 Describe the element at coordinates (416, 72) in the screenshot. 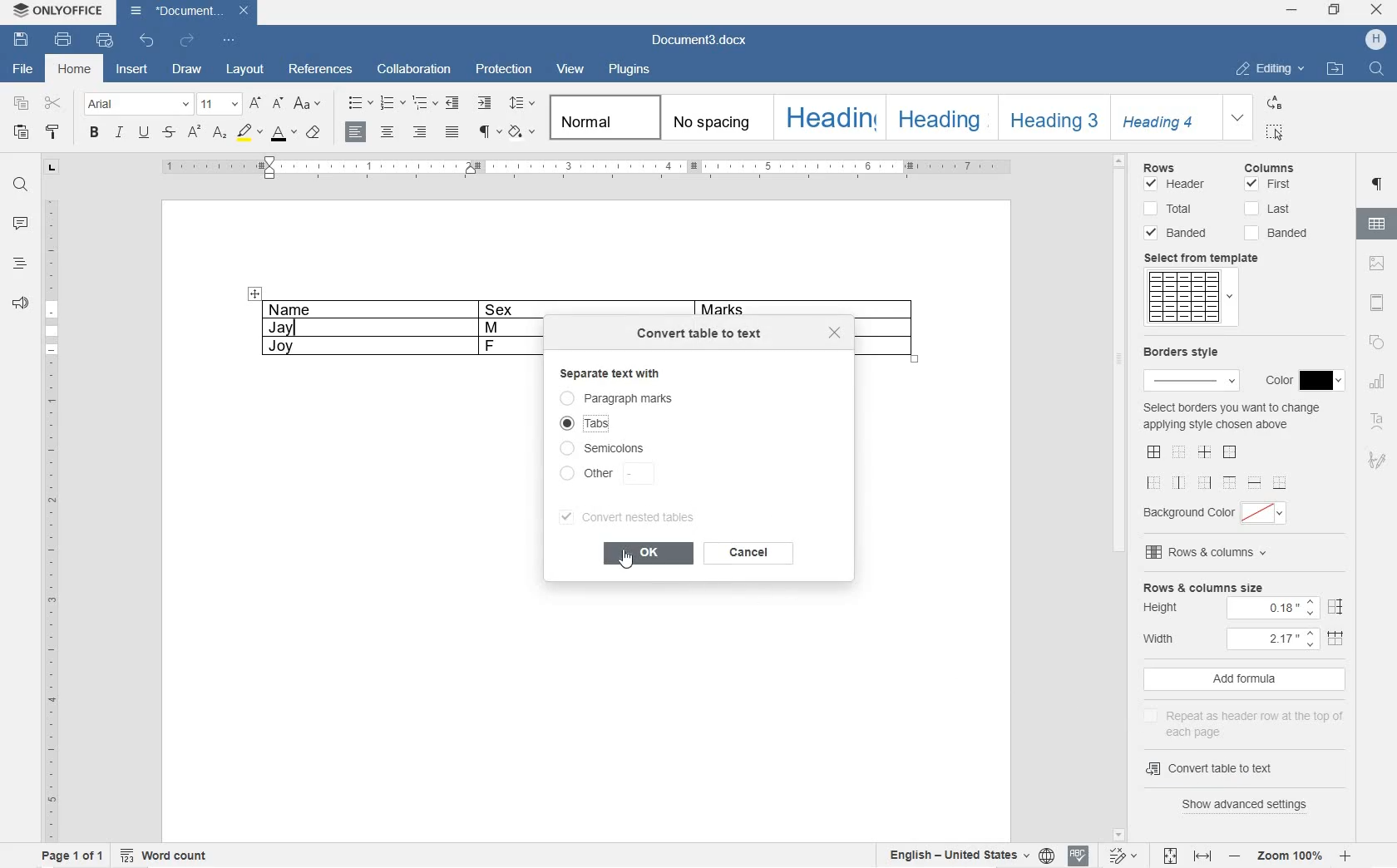

I see `COLLABORATION` at that location.